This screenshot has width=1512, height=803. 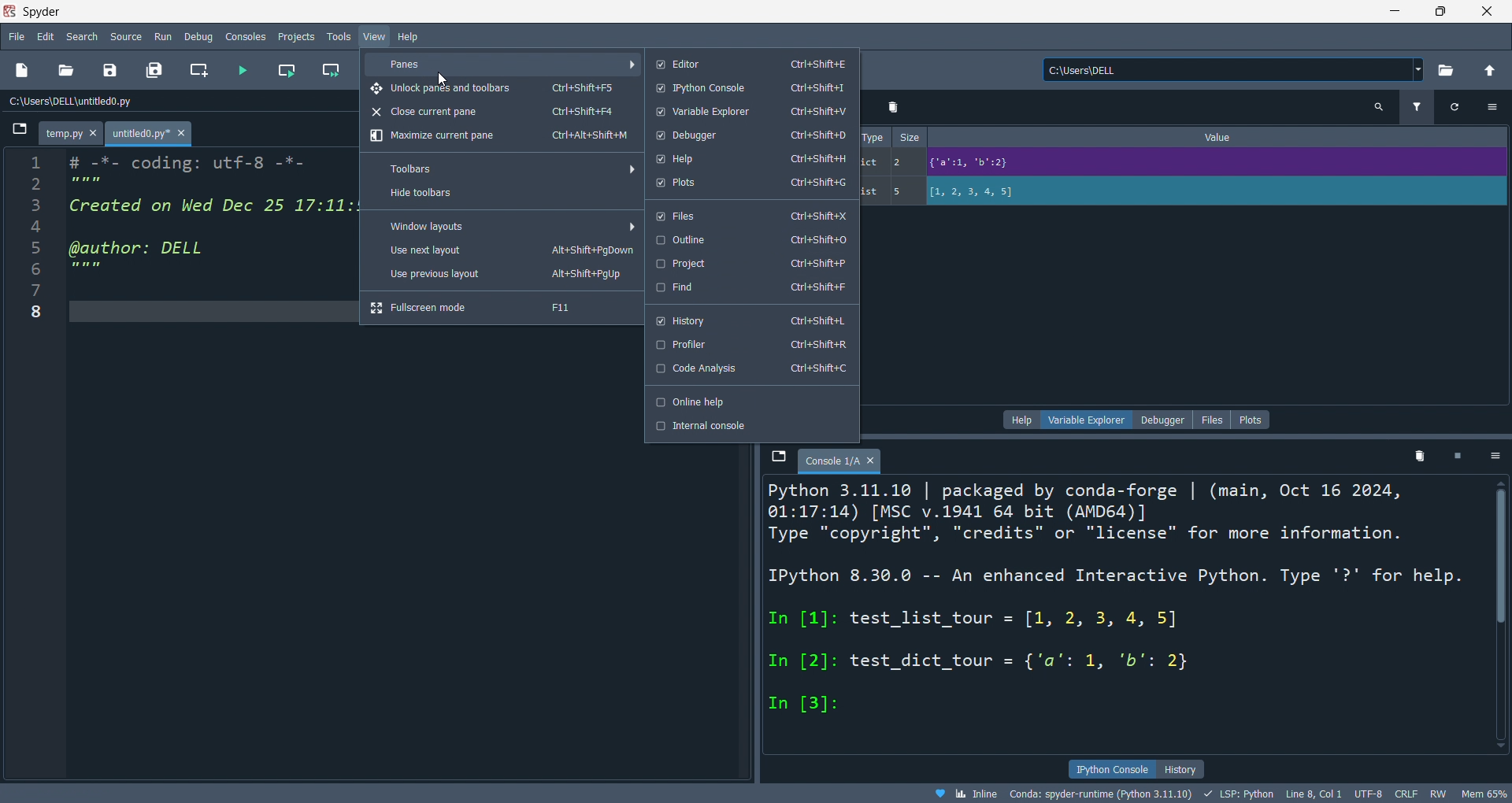 I want to click on use prev layour, so click(x=502, y=276).